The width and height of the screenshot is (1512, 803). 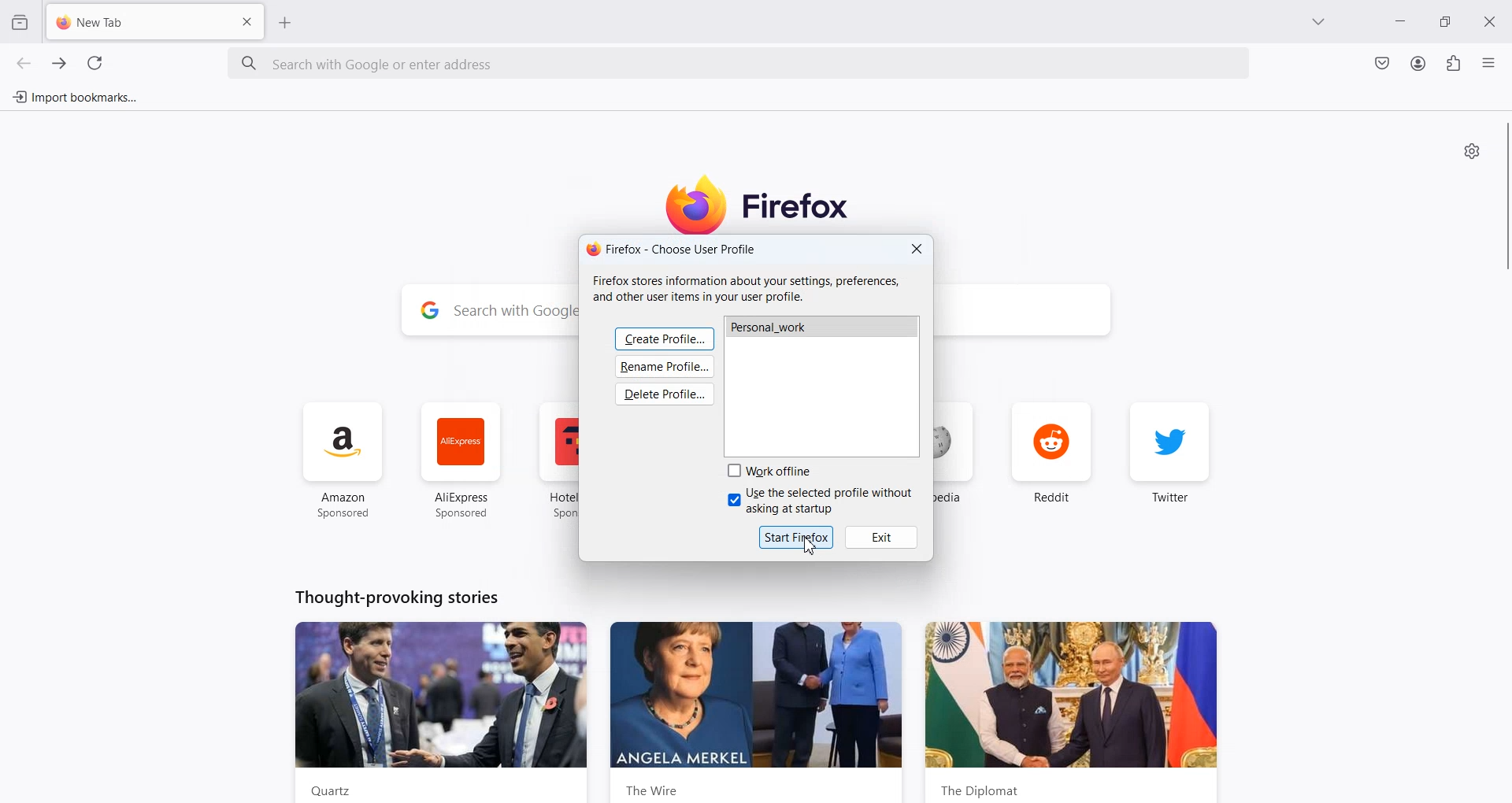 What do you see at coordinates (1490, 62) in the screenshot?
I see `Open Application menu` at bounding box center [1490, 62].